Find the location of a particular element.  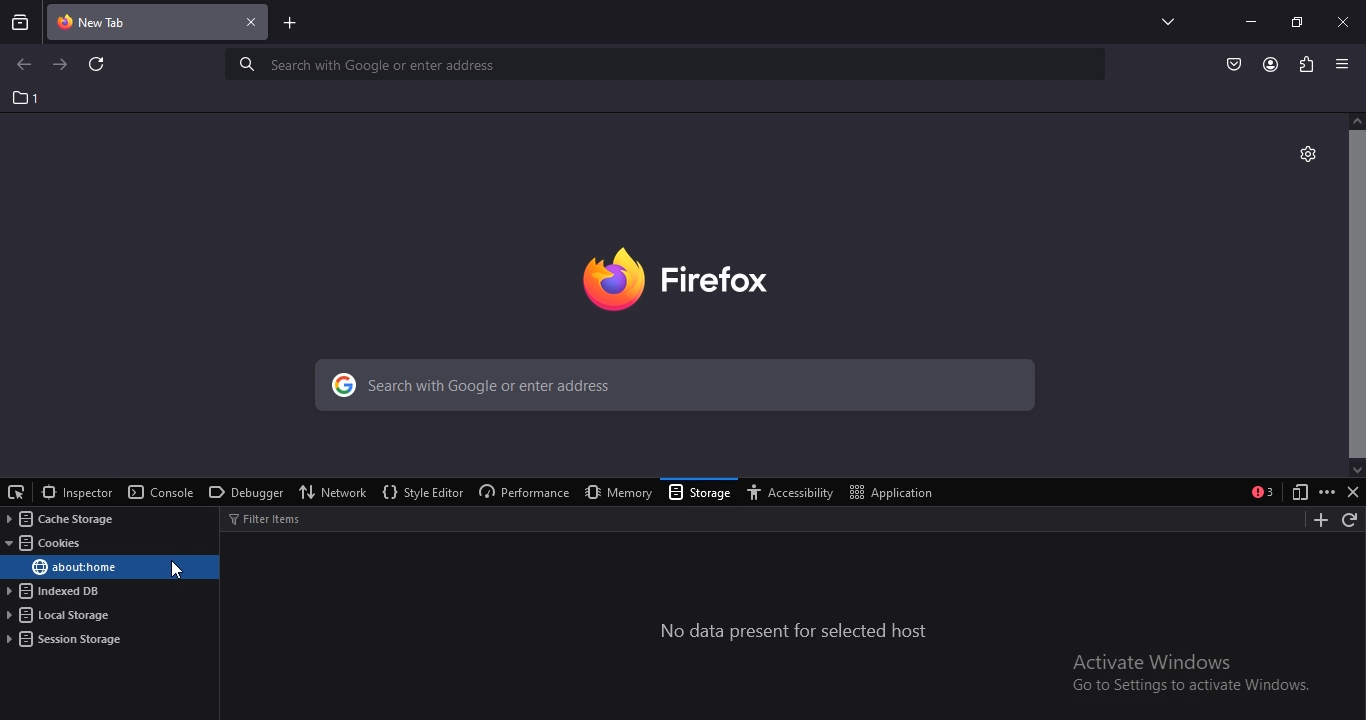

minimize is located at coordinates (1250, 21).